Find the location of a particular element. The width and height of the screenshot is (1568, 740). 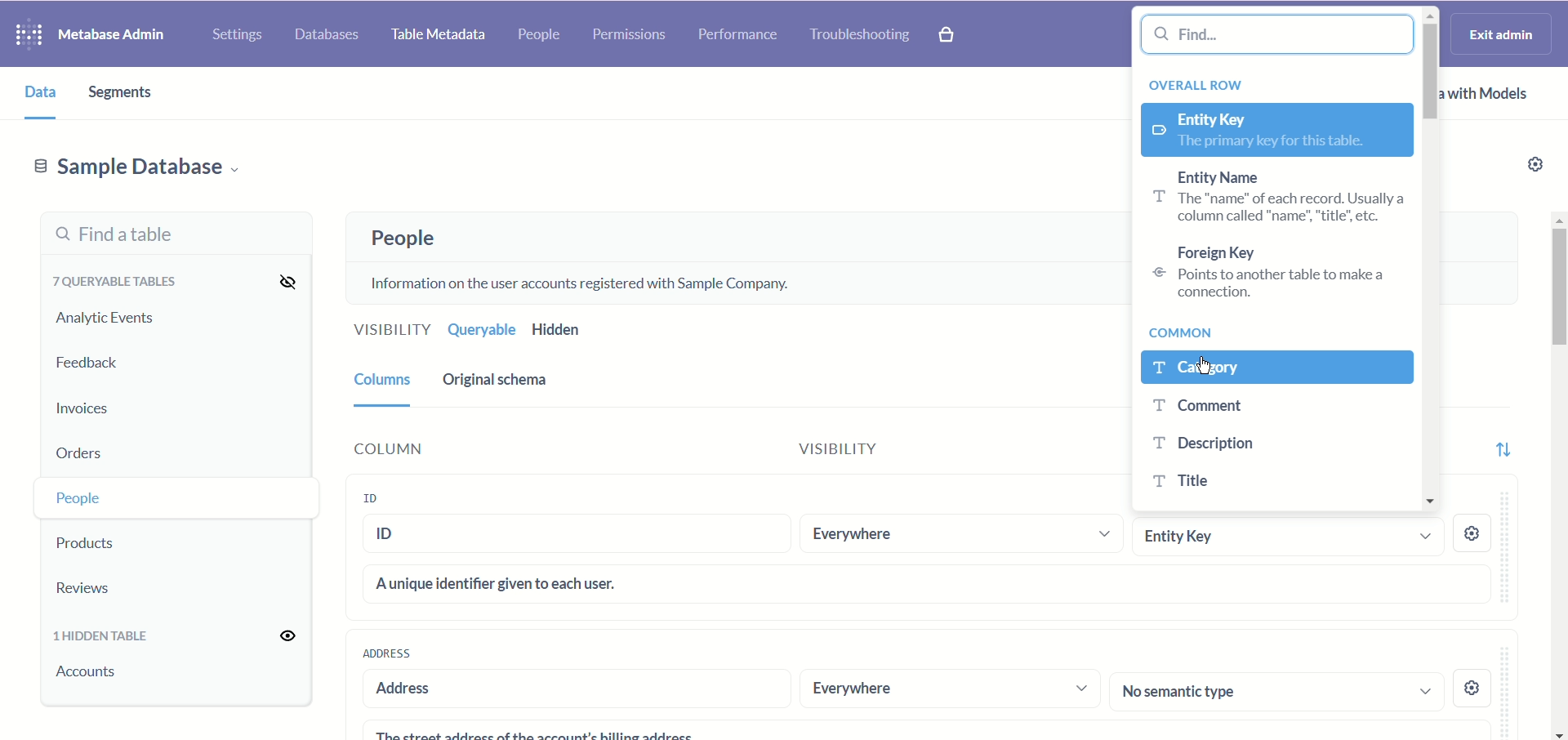

Table Metadata is located at coordinates (440, 37).